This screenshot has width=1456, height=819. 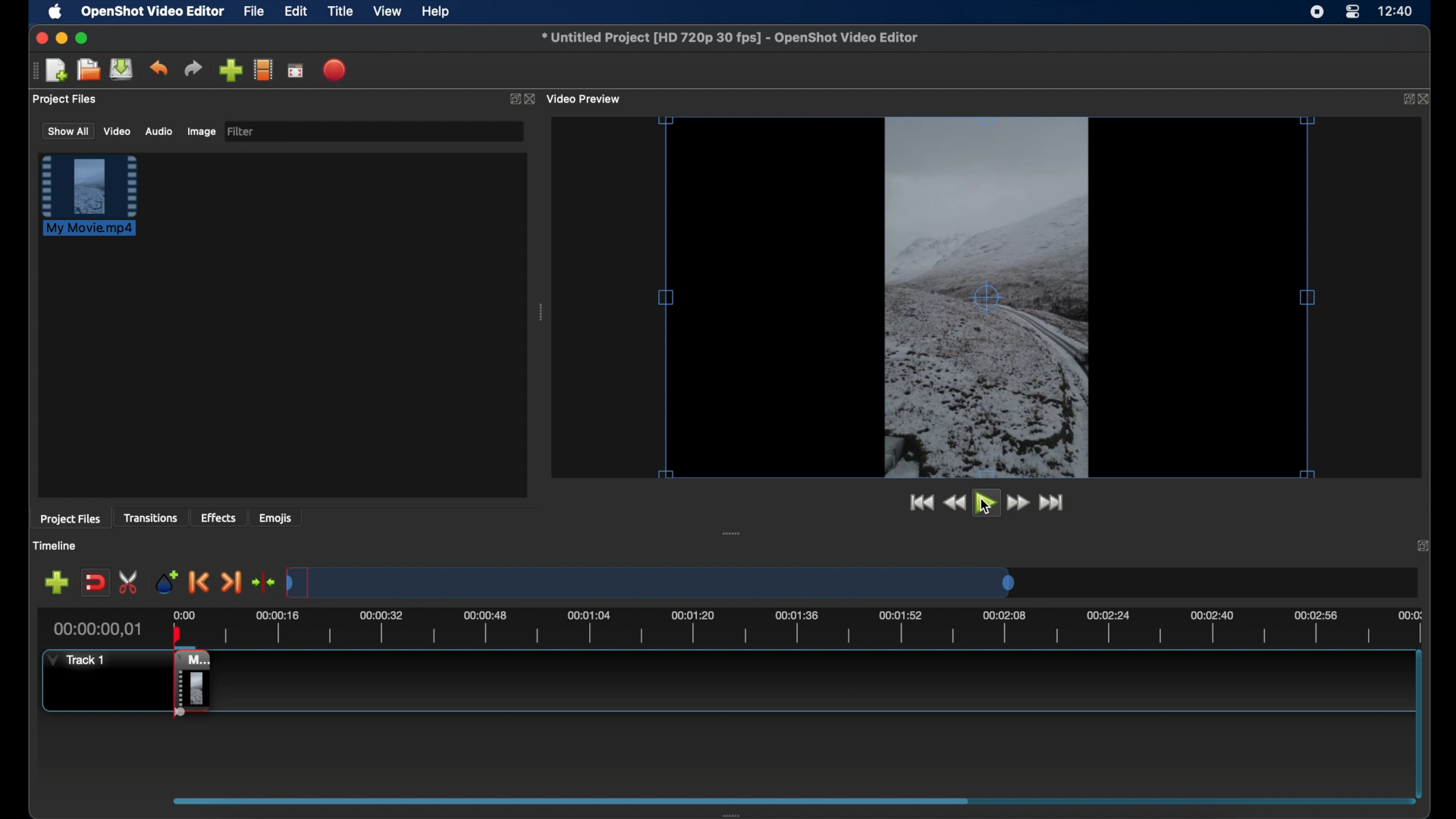 What do you see at coordinates (117, 132) in the screenshot?
I see `video` at bounding box center [117, 132].